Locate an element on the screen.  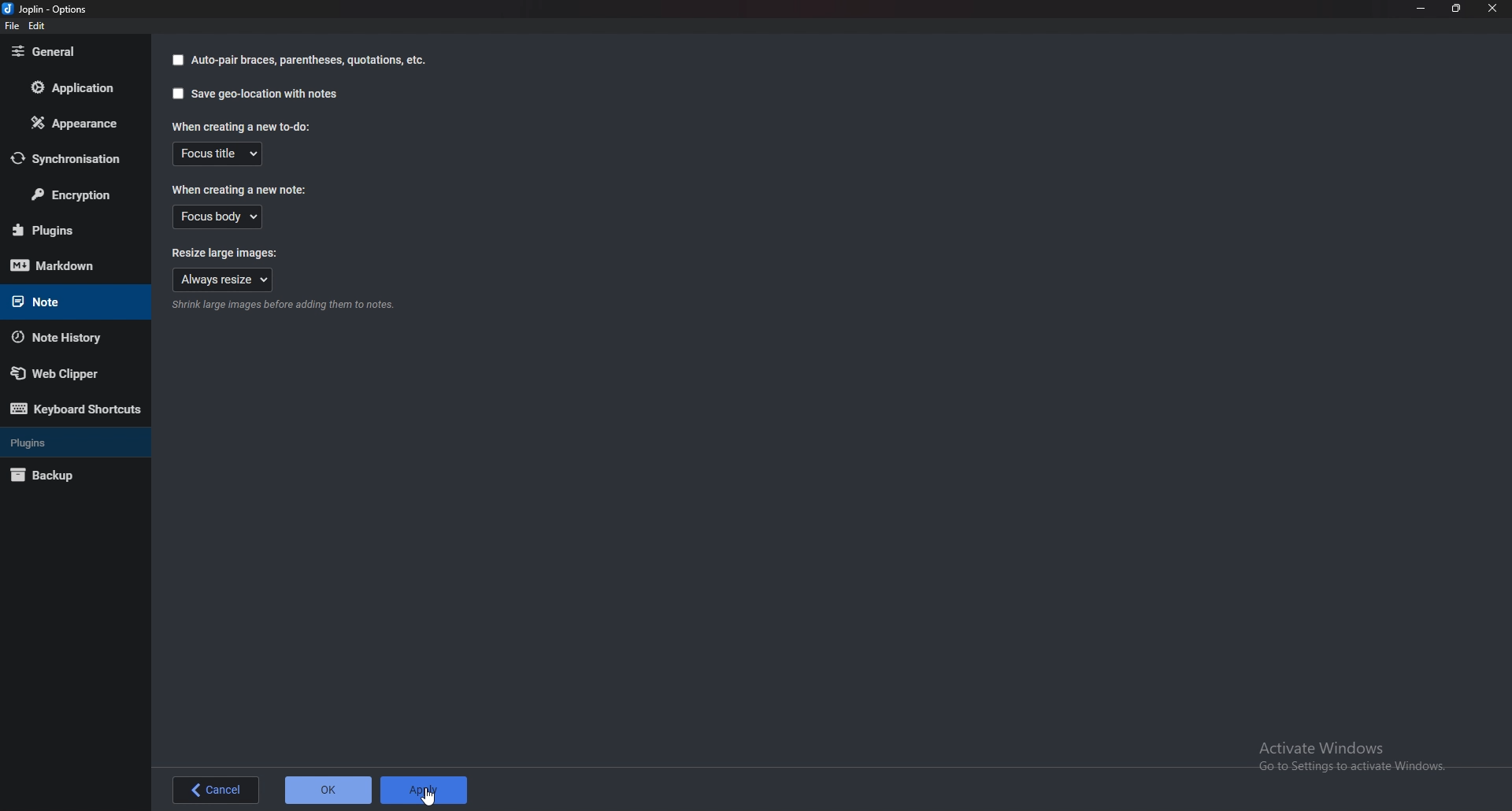
Save geo location with notes is located at coordinates (257, 93).